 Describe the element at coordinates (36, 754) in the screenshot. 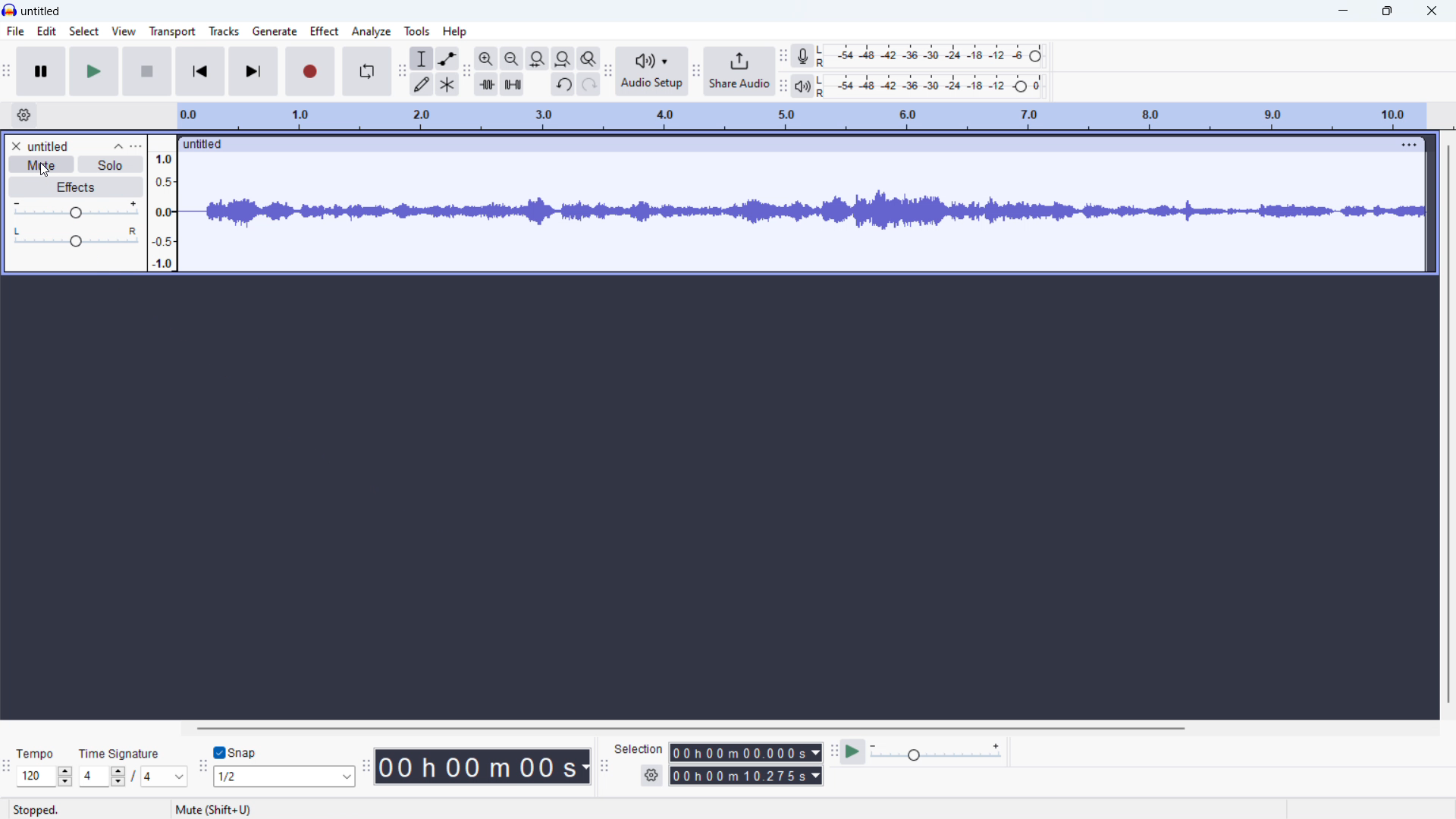

I see `tempo` at that location.